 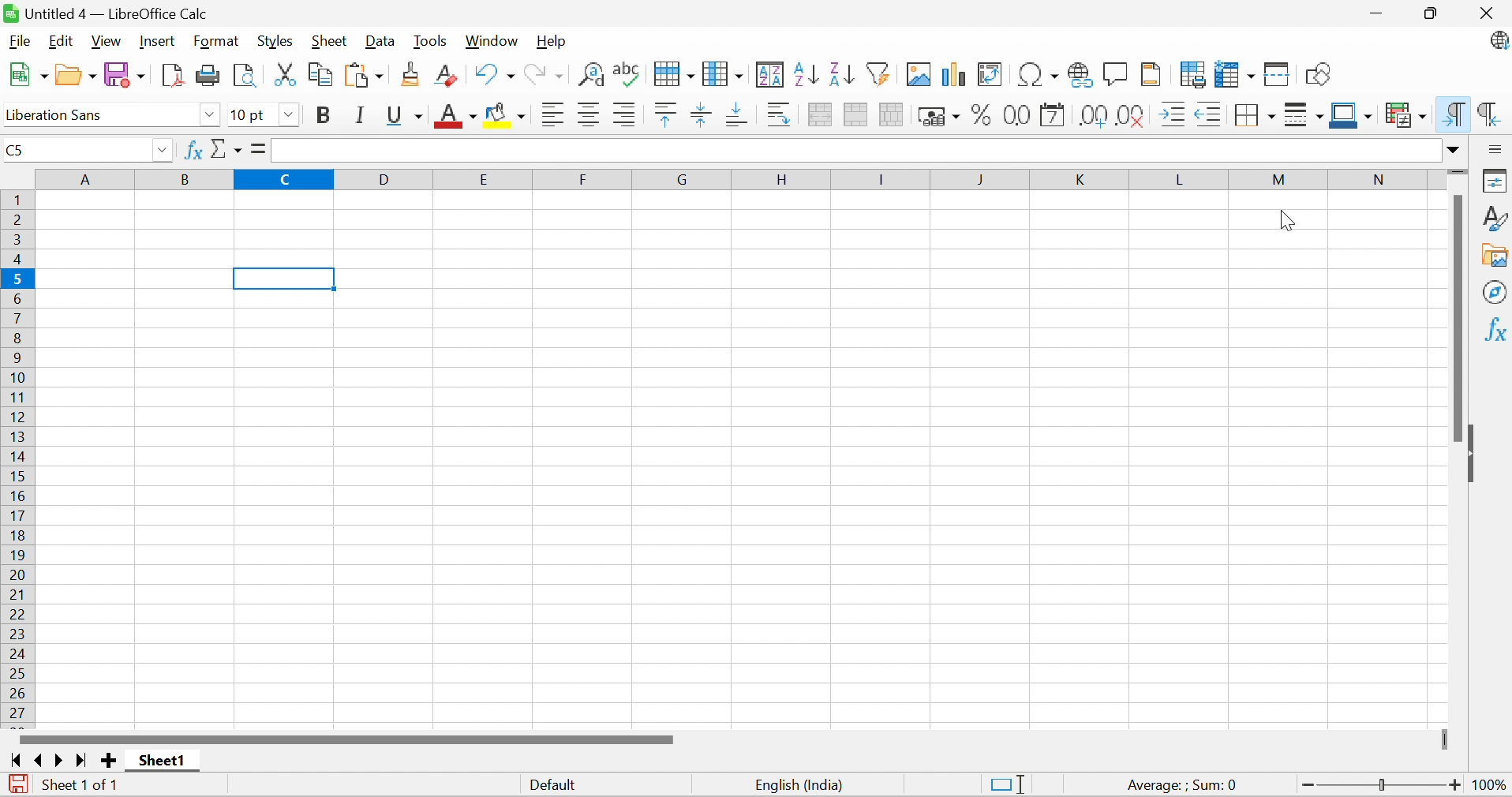 What do you see at coordinates (245, 77) in the screenshot?
I see `Toggle print preview` at bounding box center [245, 77].